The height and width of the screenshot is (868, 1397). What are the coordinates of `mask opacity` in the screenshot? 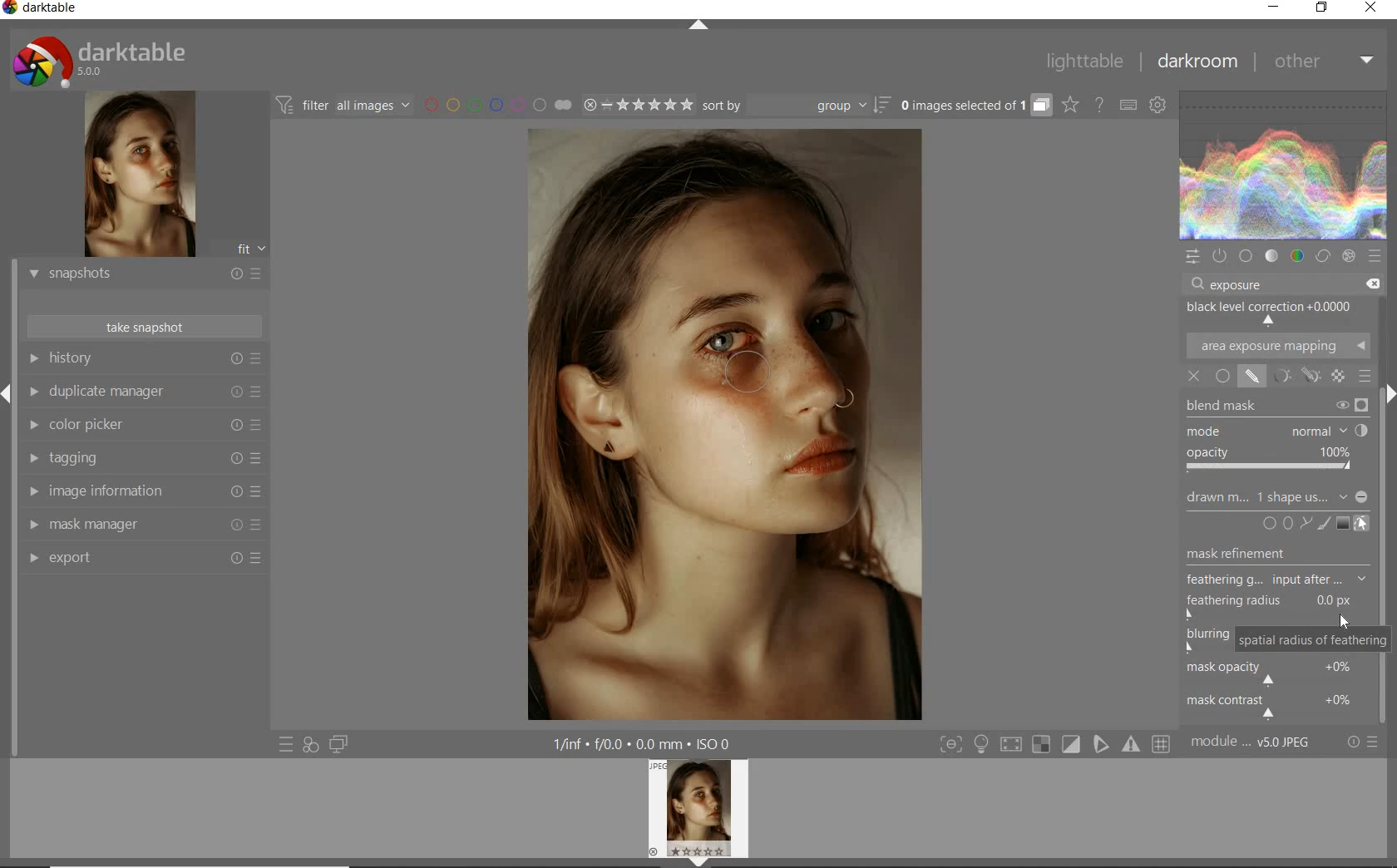 It's located at (1269, 675).